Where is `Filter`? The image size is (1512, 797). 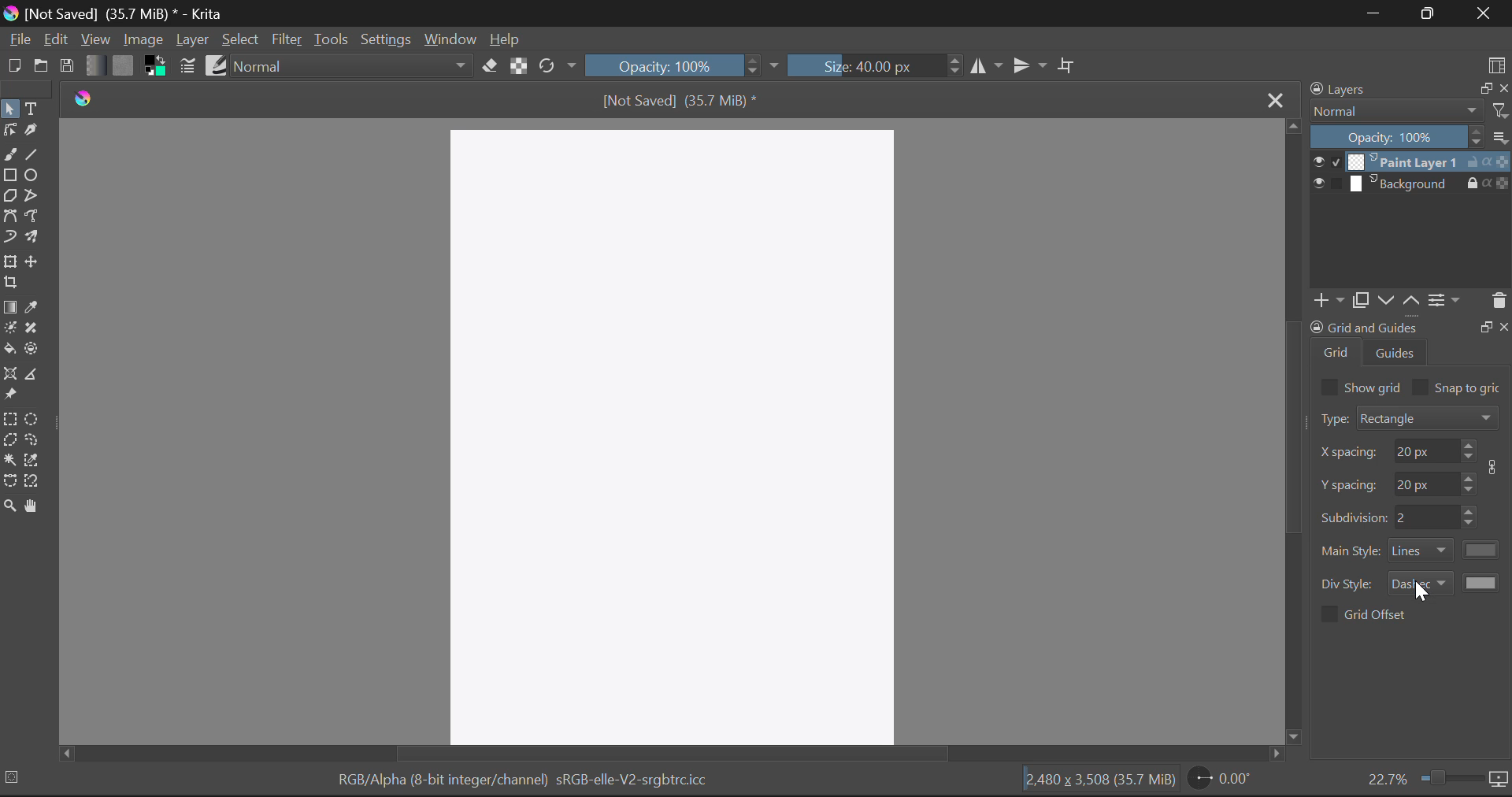
Filter is located at coordinates (287, 41).